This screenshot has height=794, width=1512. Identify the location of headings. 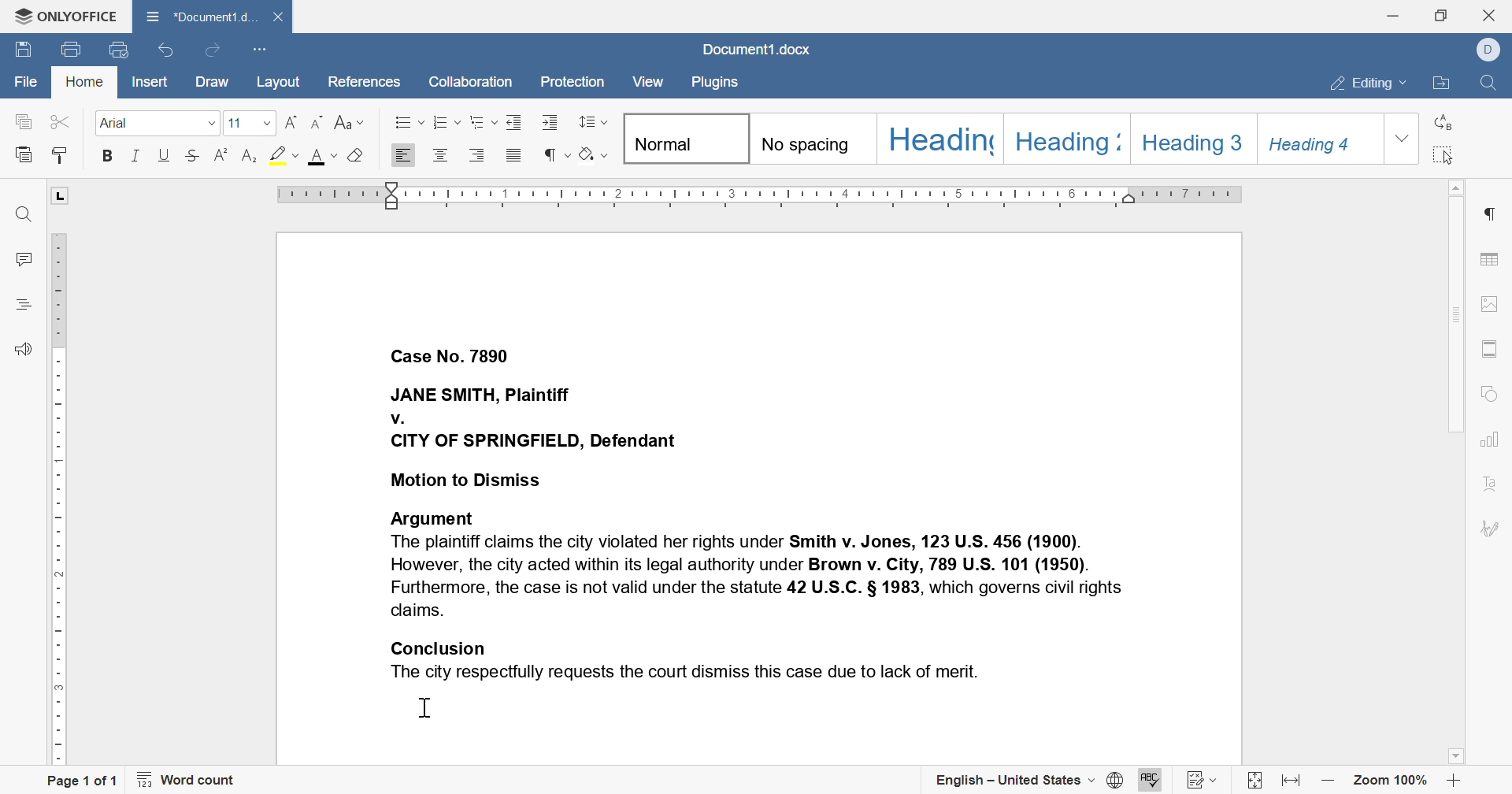
(1002, 138).